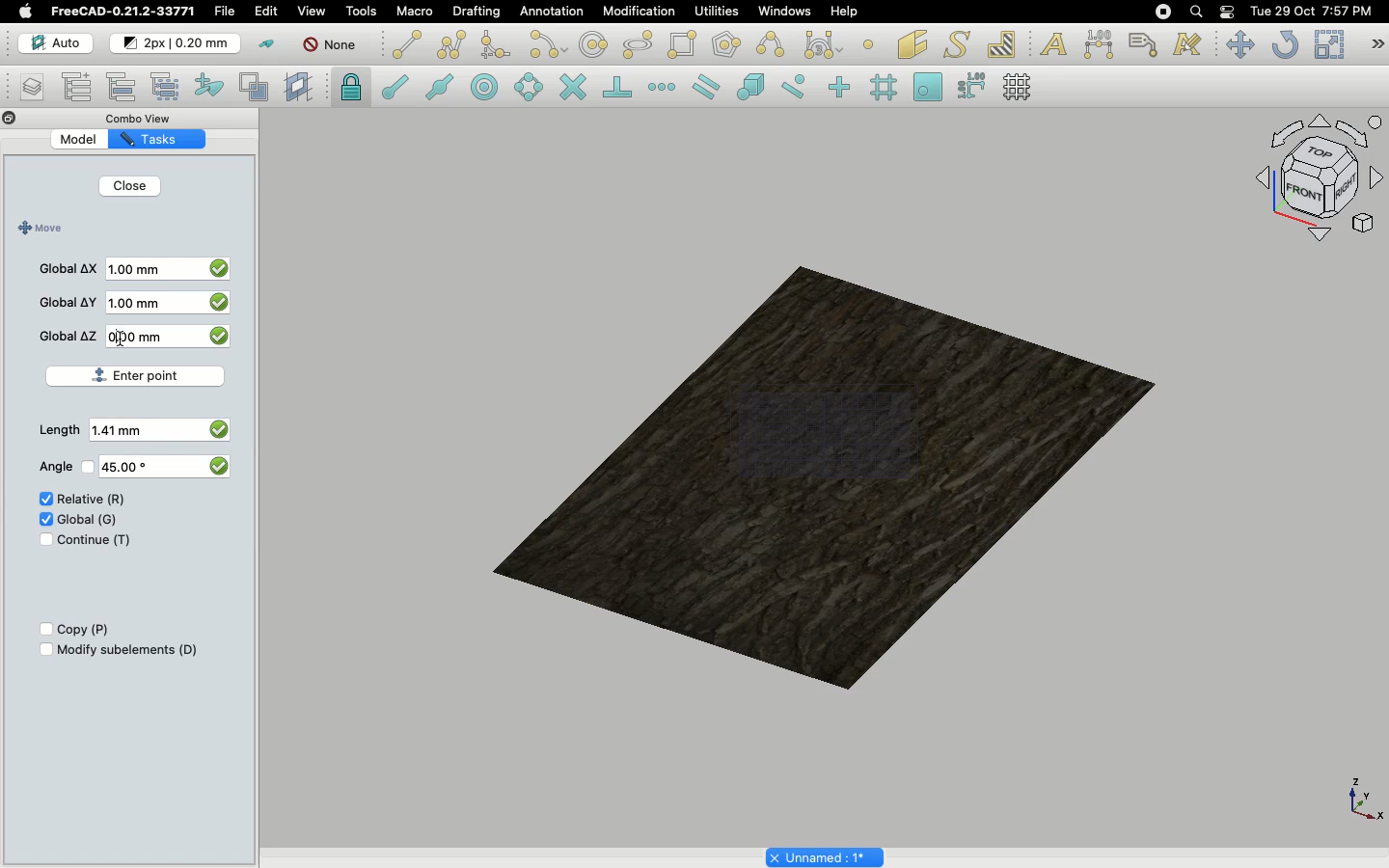 The image size is (1389, 868). What do you see at coordinates (799, 87) in the screenshot?
I see `Snap near` at bounding box center [799, 87].